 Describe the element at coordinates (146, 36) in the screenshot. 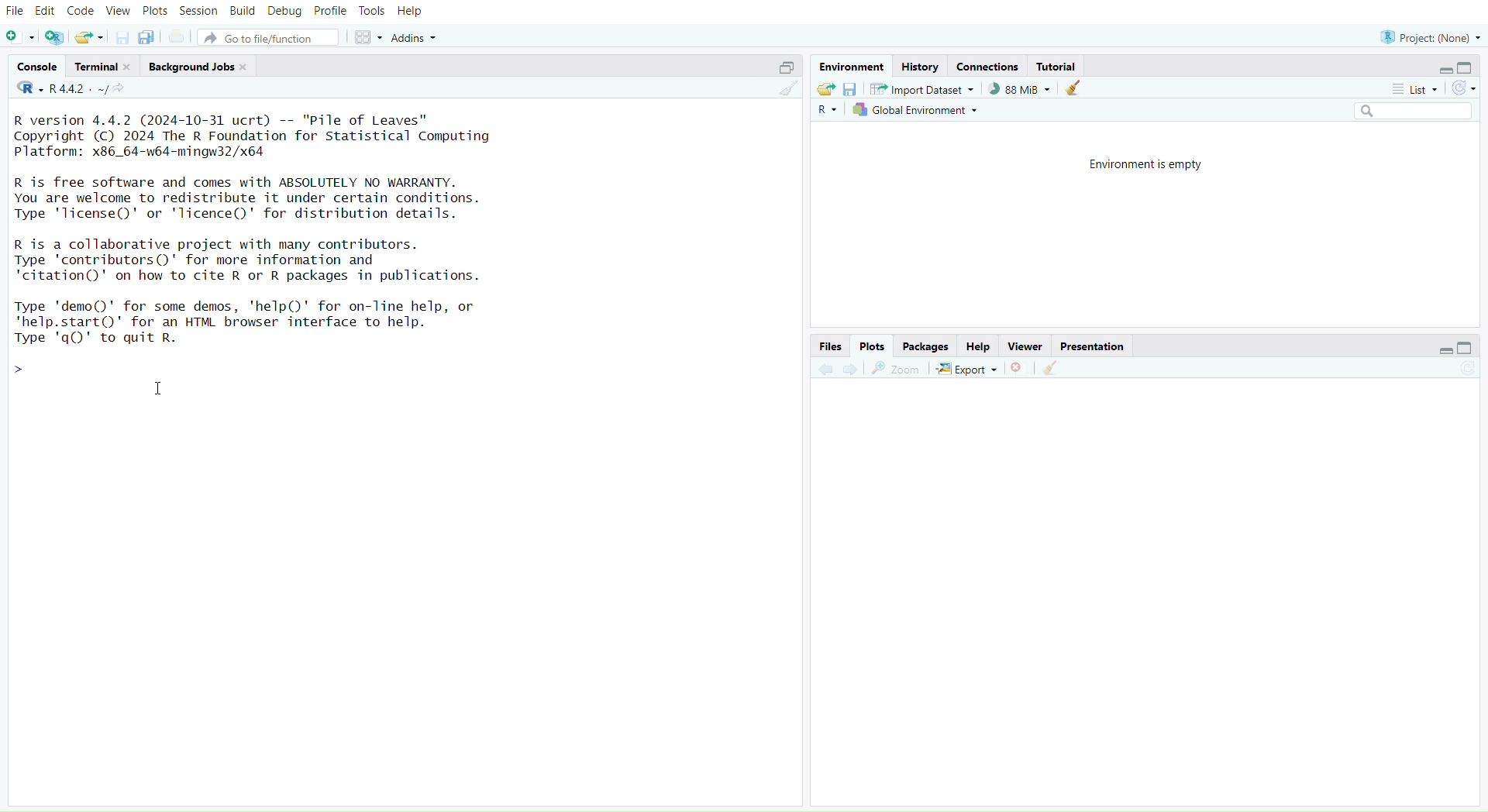

I see `save all open documents` at that location.